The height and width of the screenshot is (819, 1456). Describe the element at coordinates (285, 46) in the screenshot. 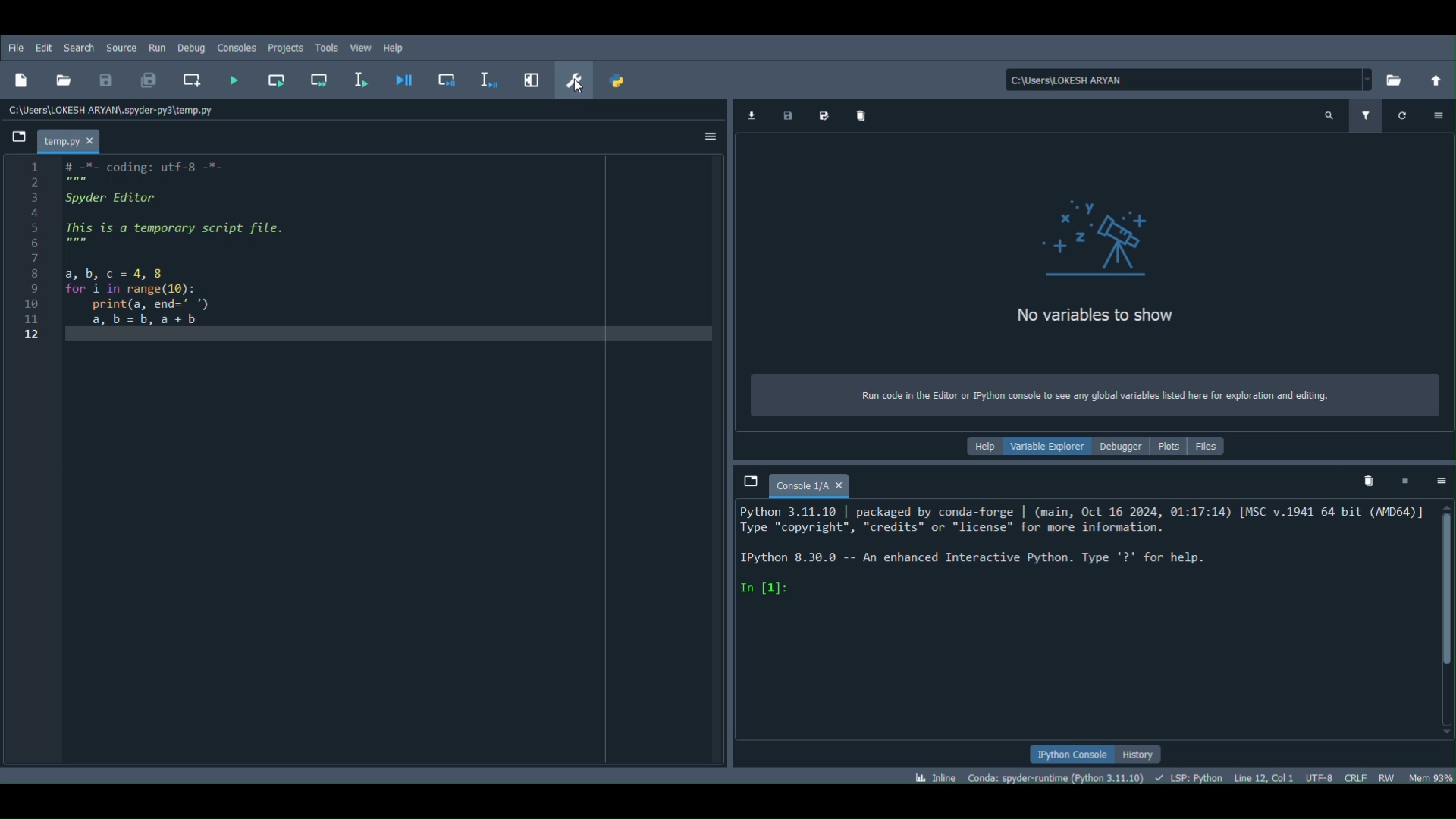

I see `Projects` at that location.